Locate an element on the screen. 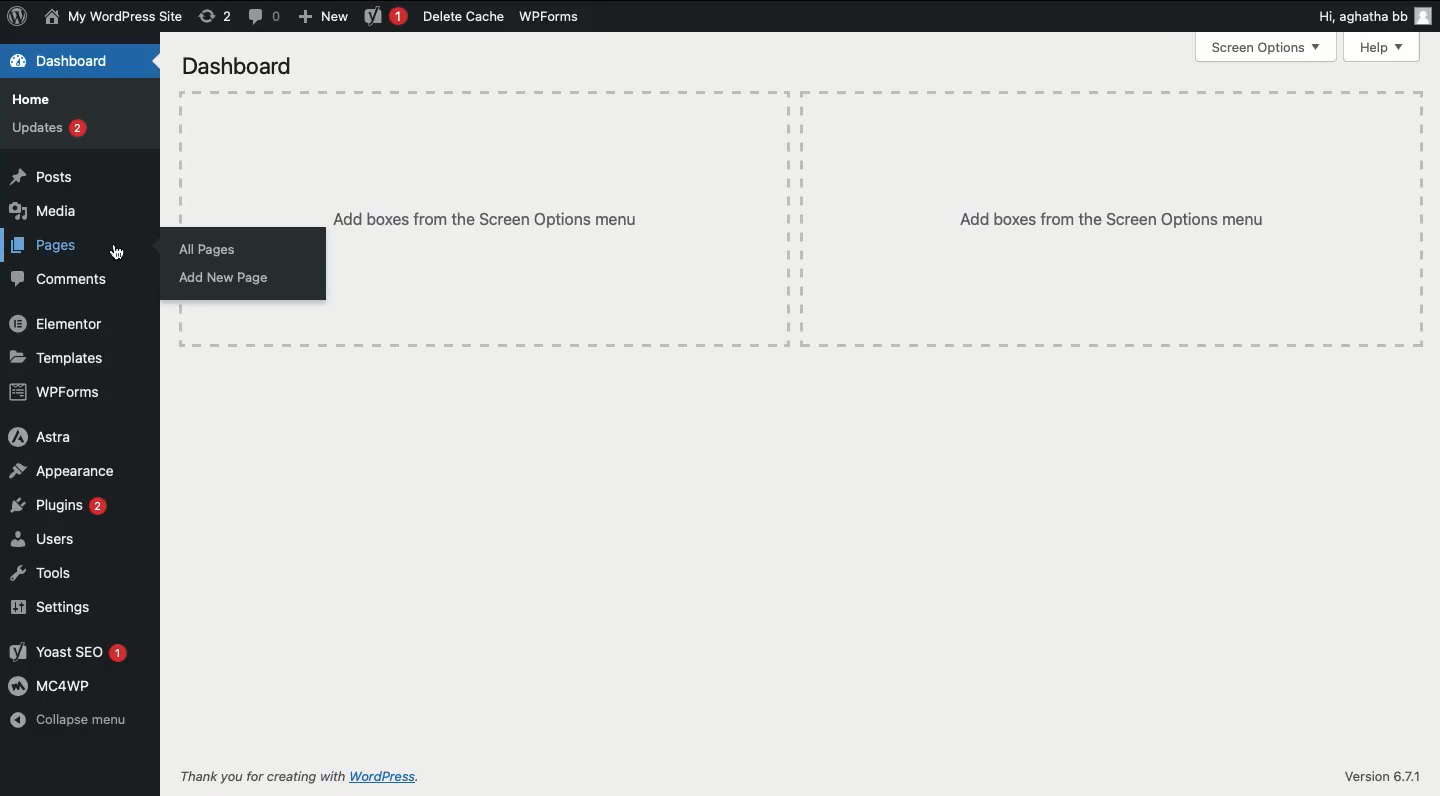 This screenshot has width=1440, height=796. Hi, agatha bb is located at coordinates (1379, 15).